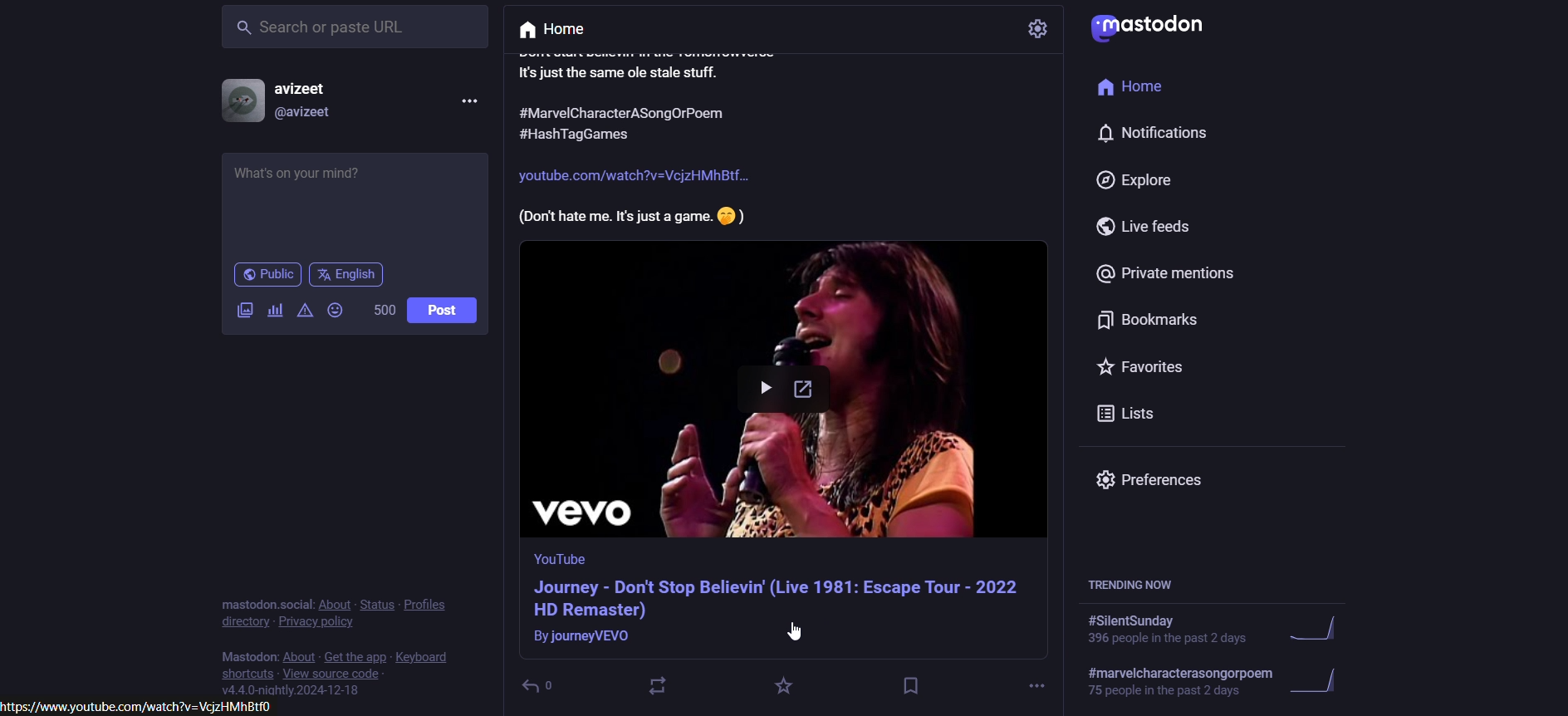 Image resolution: width=1568 pixels, height=716 pixels. What do you see at coordinates (304, 313) in the screenshot?
I see `content warning` at bounding box center [304, 313].